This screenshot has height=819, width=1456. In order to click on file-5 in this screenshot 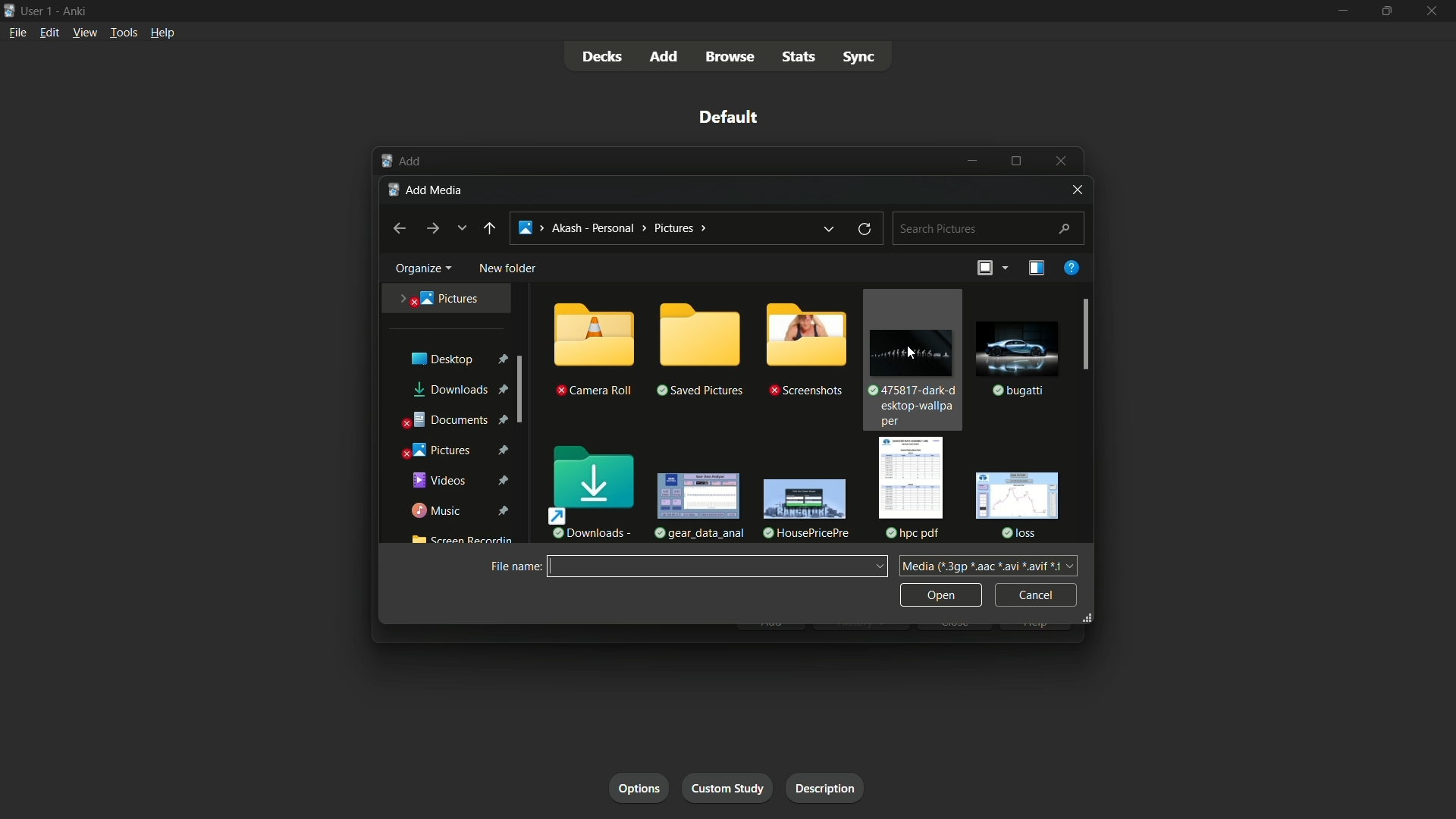, I will do `click(911, 488)`.